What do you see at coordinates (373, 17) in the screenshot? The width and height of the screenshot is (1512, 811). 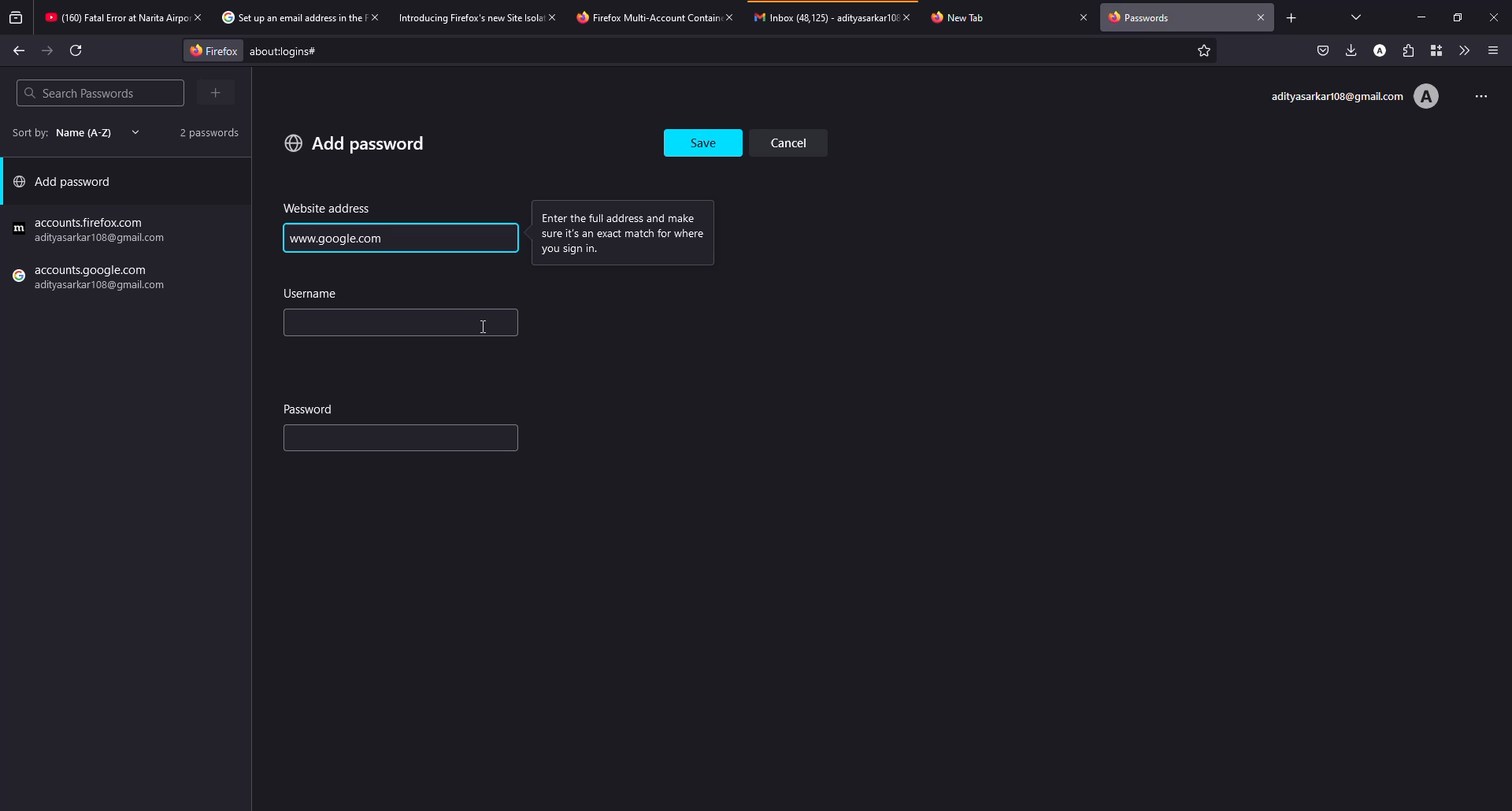 I see `close` at bounding box center [373, 17].